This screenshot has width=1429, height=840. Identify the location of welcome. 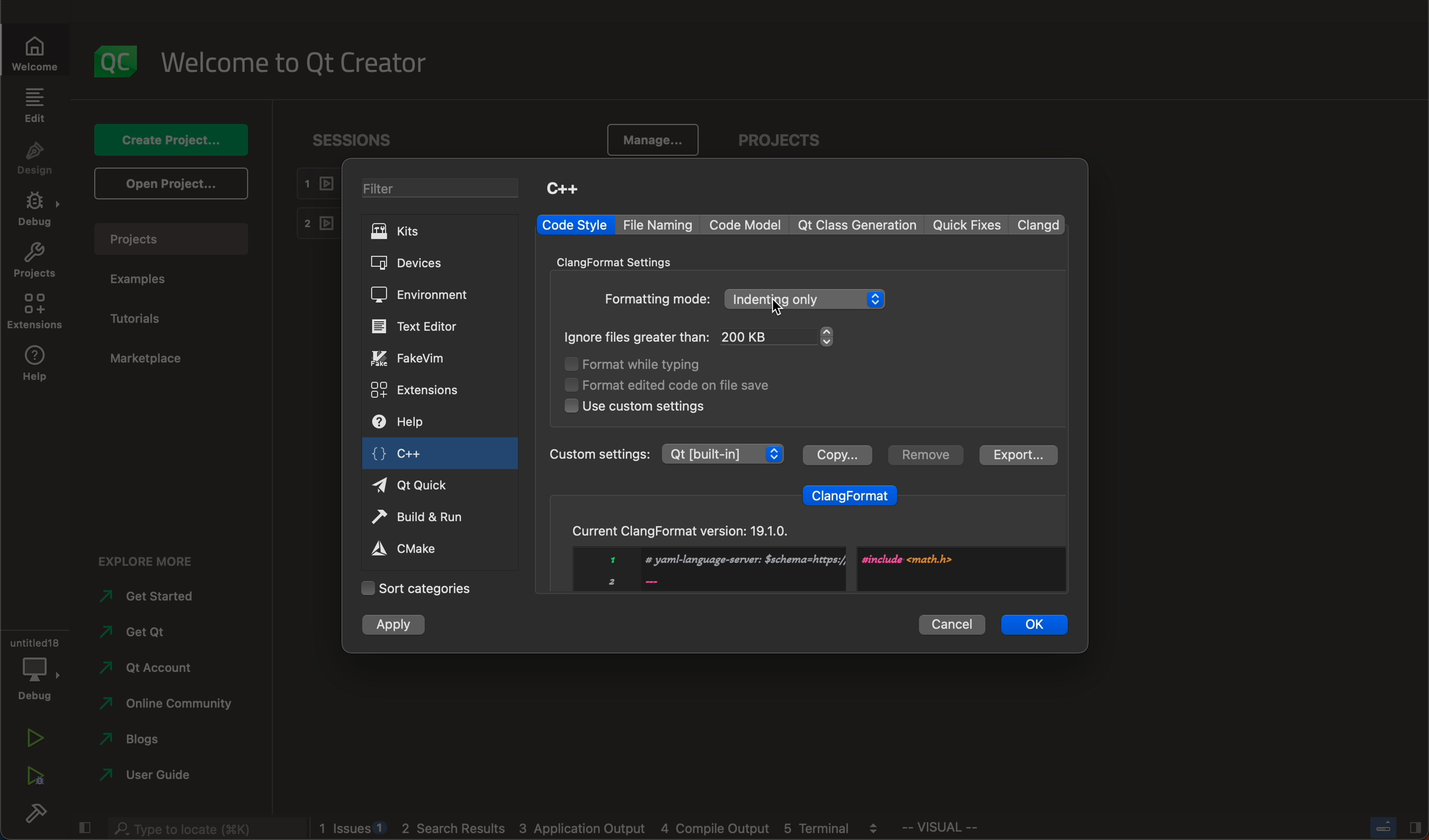
(302, 61).